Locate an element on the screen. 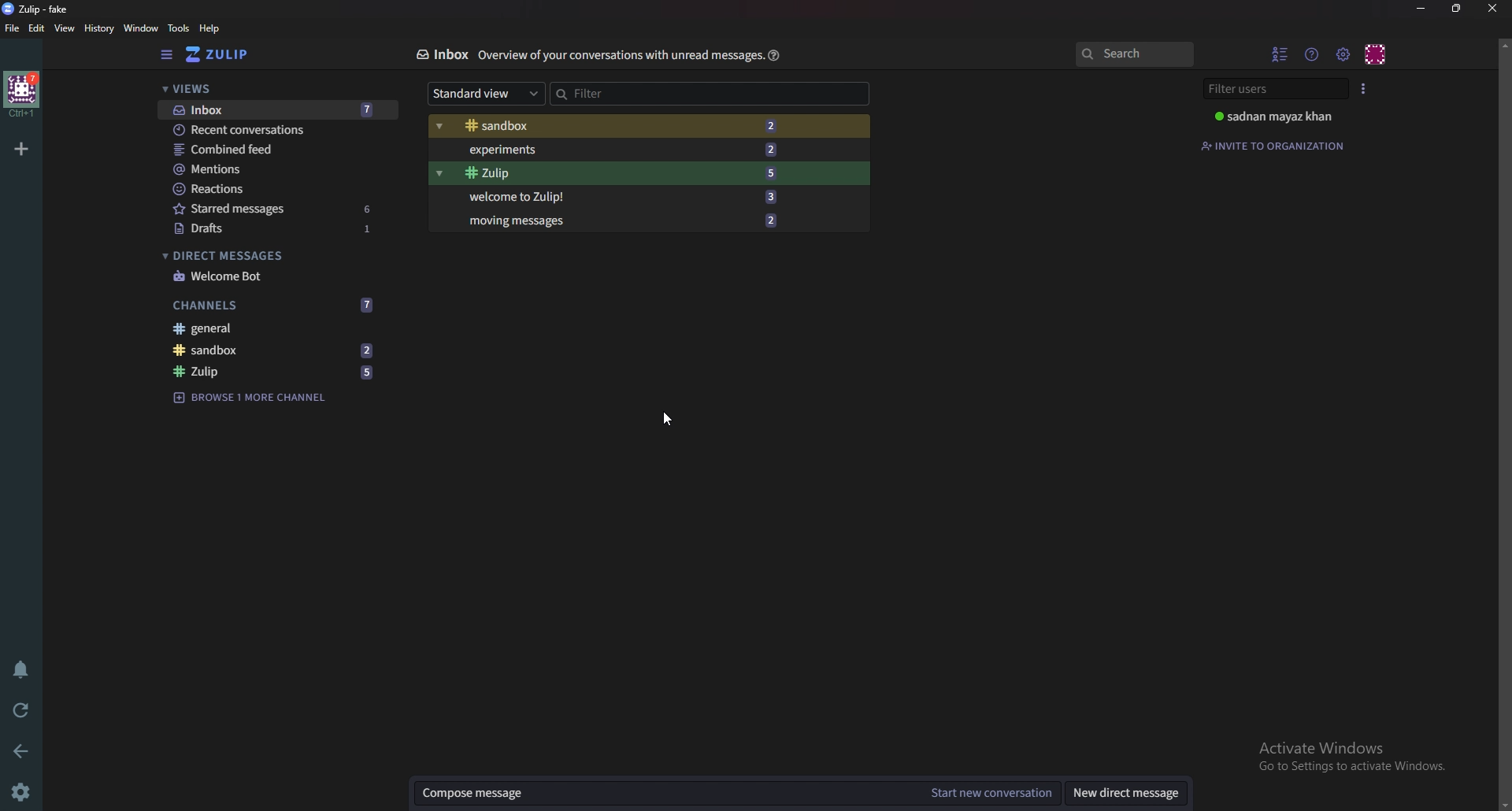 The height and width of the screenshot is (811, 1512). 2 is located at coordinates (370, 350).